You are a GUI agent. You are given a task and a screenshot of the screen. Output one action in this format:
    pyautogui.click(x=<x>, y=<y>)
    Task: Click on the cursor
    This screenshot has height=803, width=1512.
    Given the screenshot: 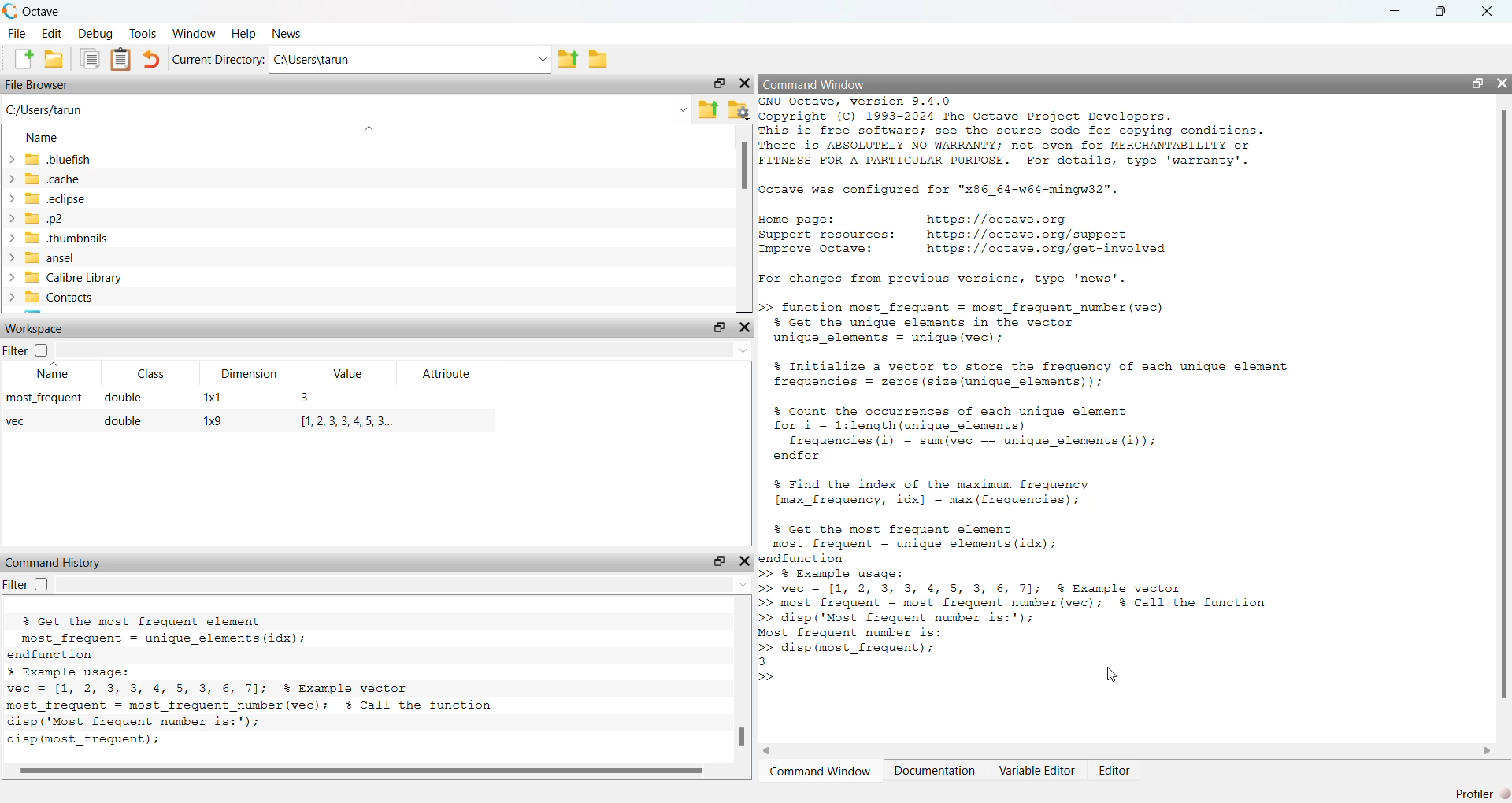 What is the action you would take?
    pyautogui.click(x=1113, y=675)
    